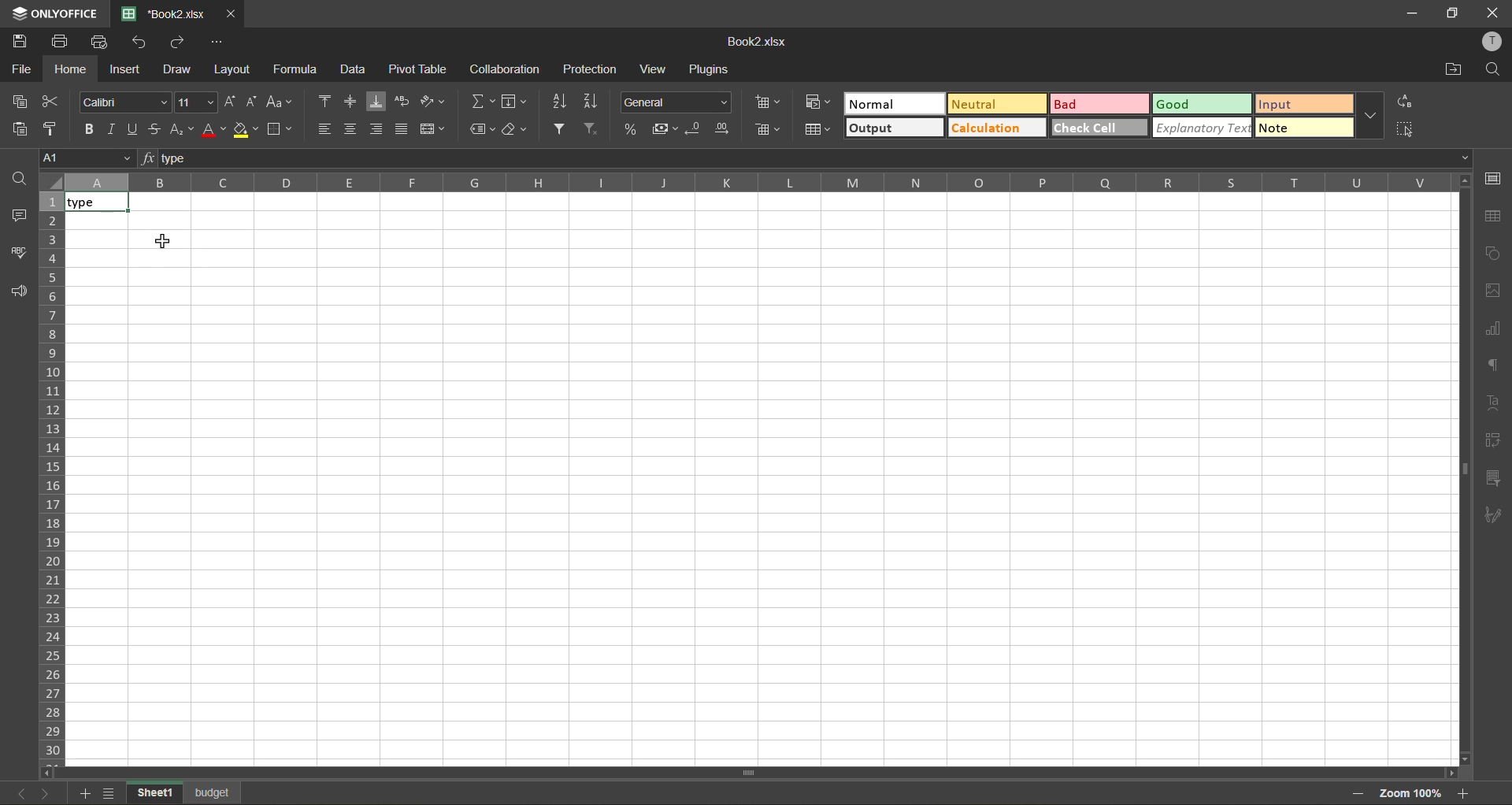 This screenshot has width=1512, height=805. Describe the element at coordinates (82, 793) in the screenshot. I see `insert sheet` at that location.